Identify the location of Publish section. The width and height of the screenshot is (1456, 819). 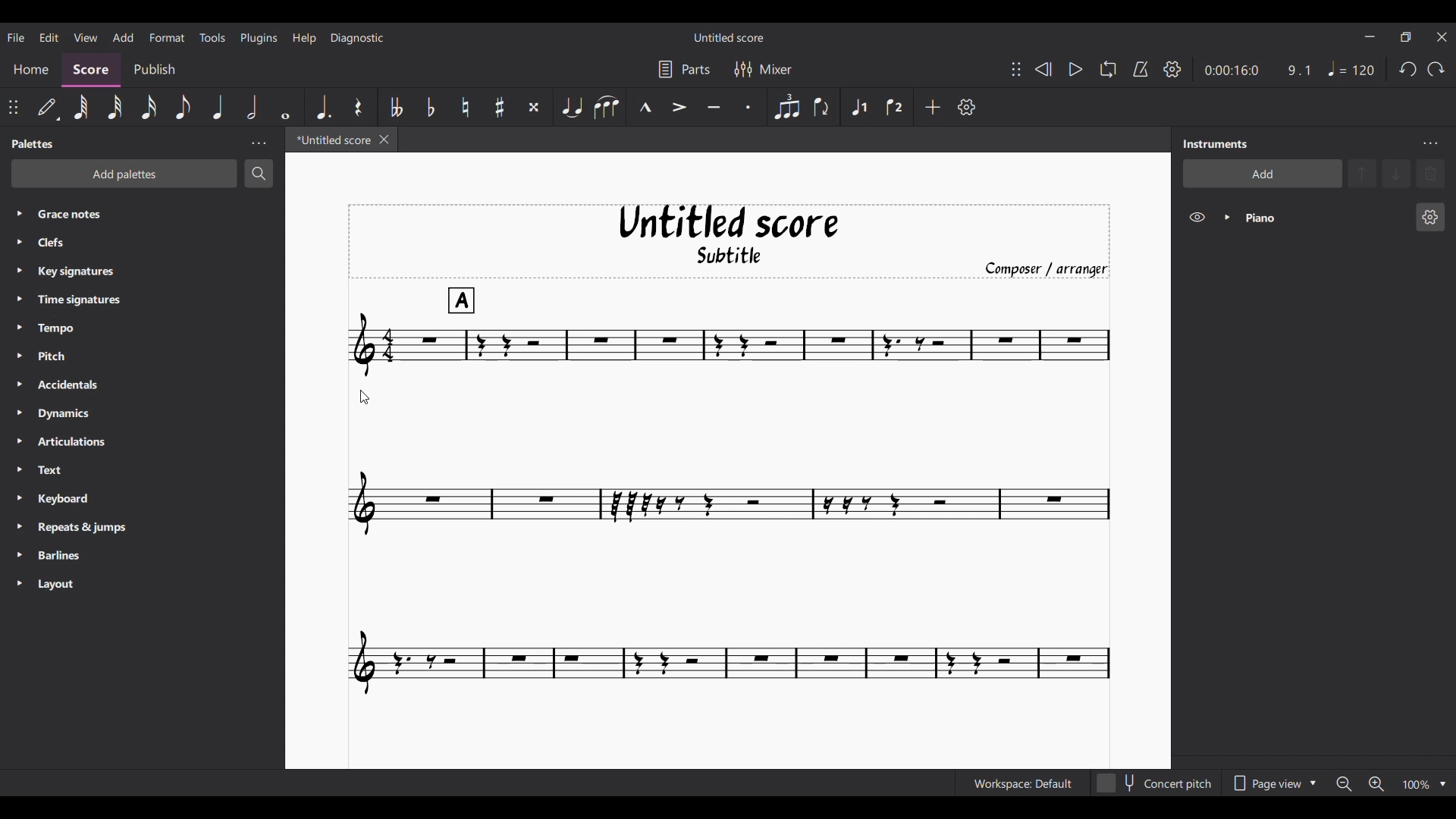
(156, 67).